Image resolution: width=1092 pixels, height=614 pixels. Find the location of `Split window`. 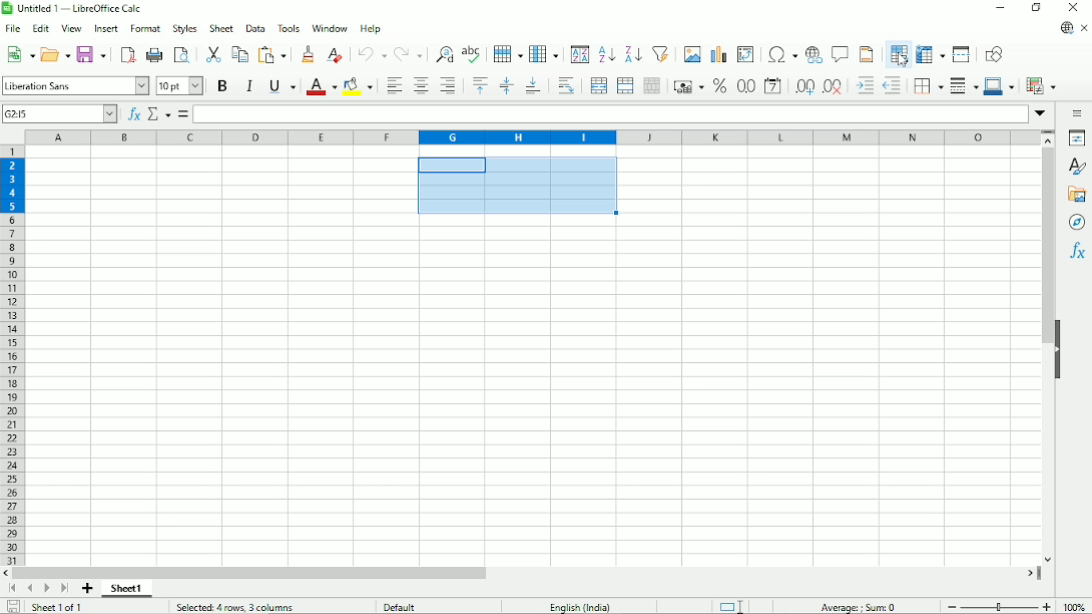

Split window is located at coordinates (963, 54).